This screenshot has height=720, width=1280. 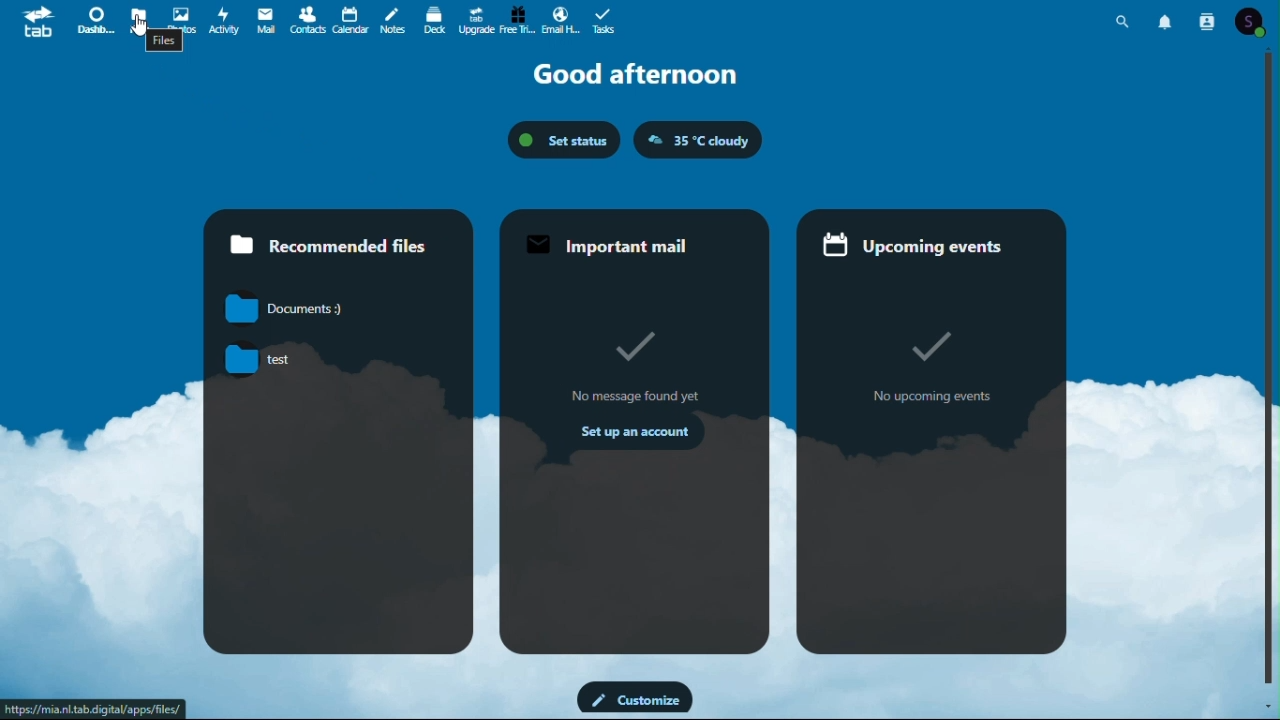 What do you see at coordinates (268, 20) in the screenshot?
I see `Mail` at bounding box center [268, 20].